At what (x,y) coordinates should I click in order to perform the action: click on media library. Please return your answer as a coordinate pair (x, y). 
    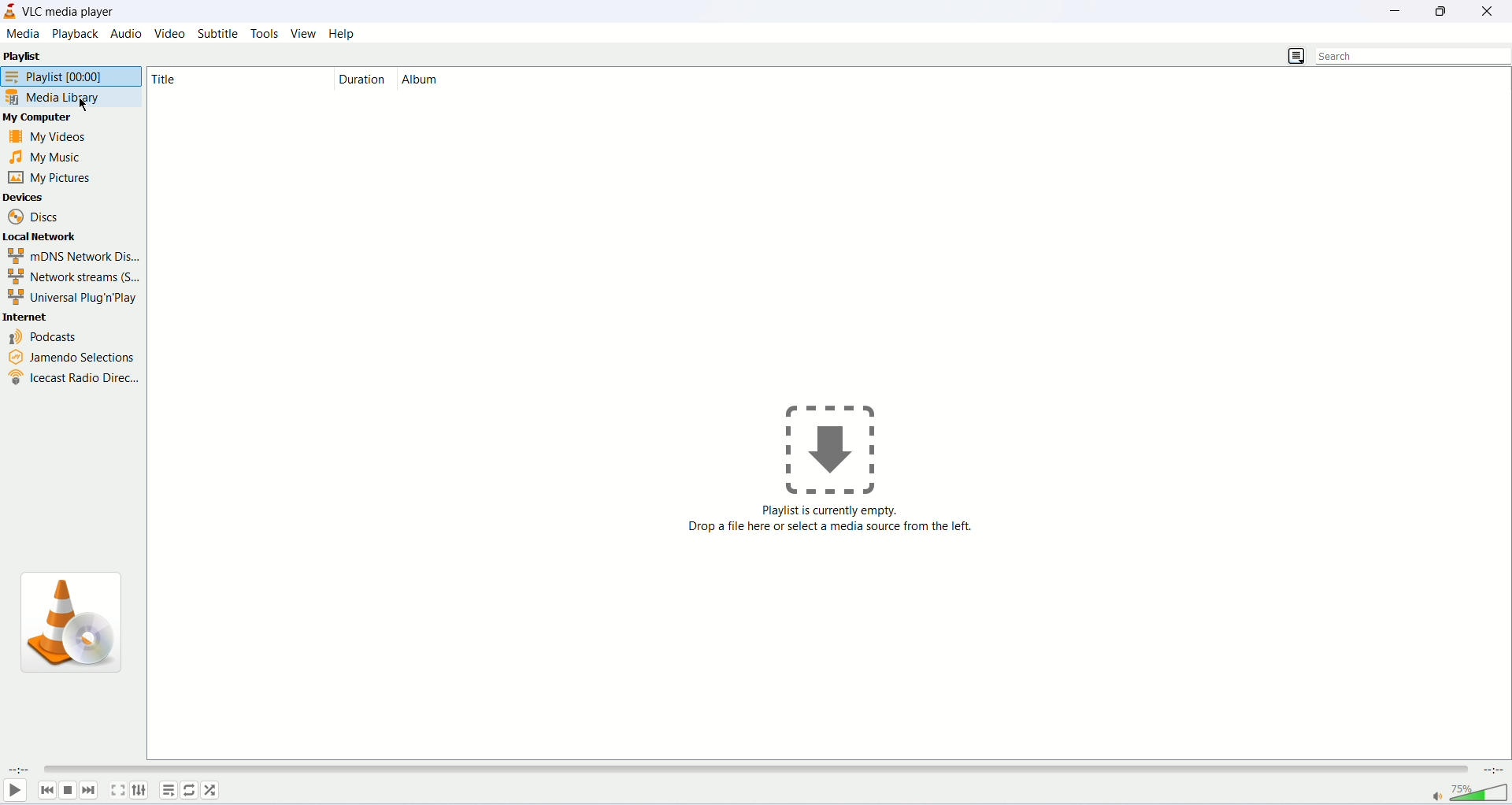
    Looking at the image, I should click on (54, 98).